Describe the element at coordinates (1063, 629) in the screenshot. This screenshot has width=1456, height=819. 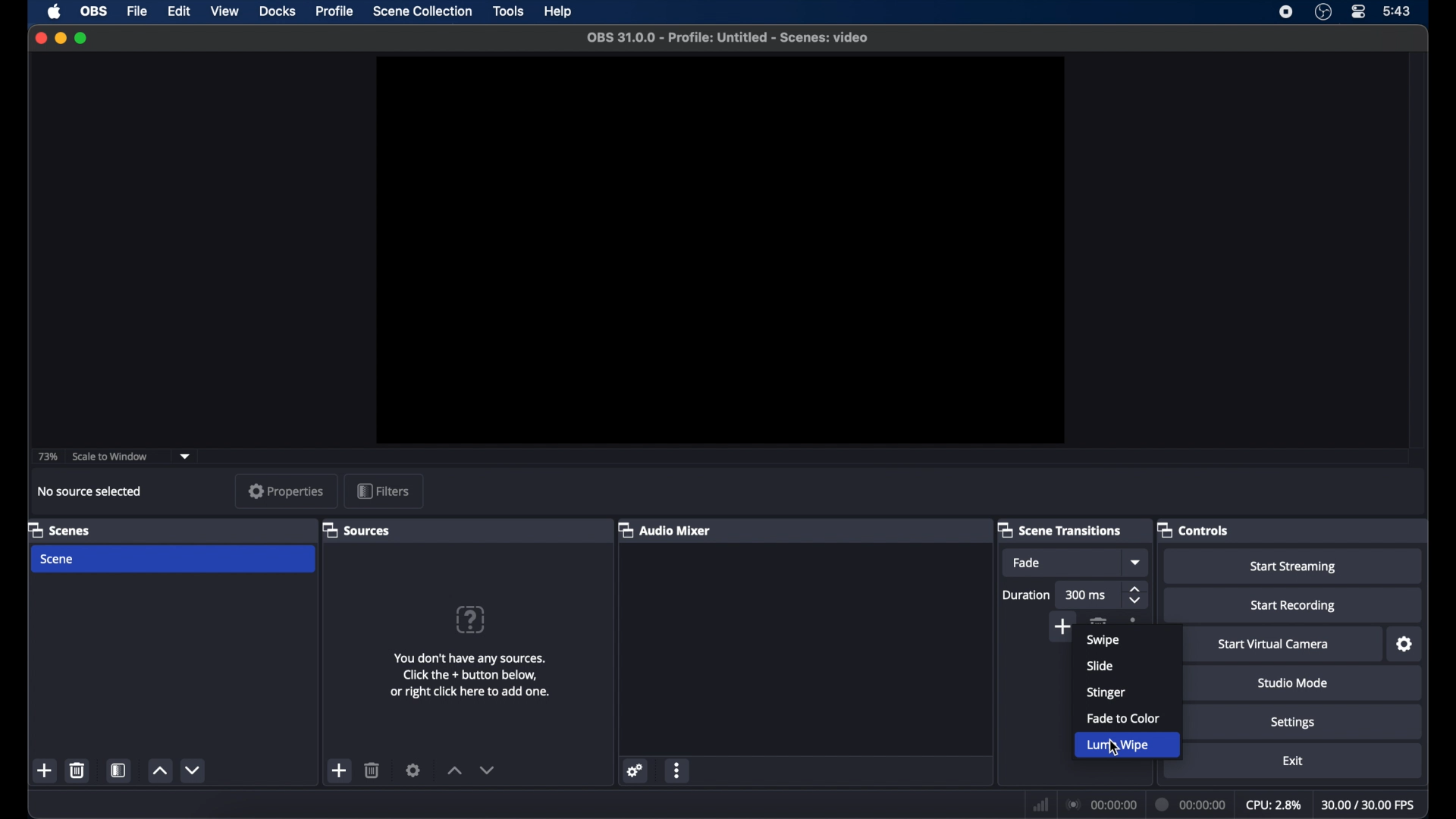
I see `add` at that location.